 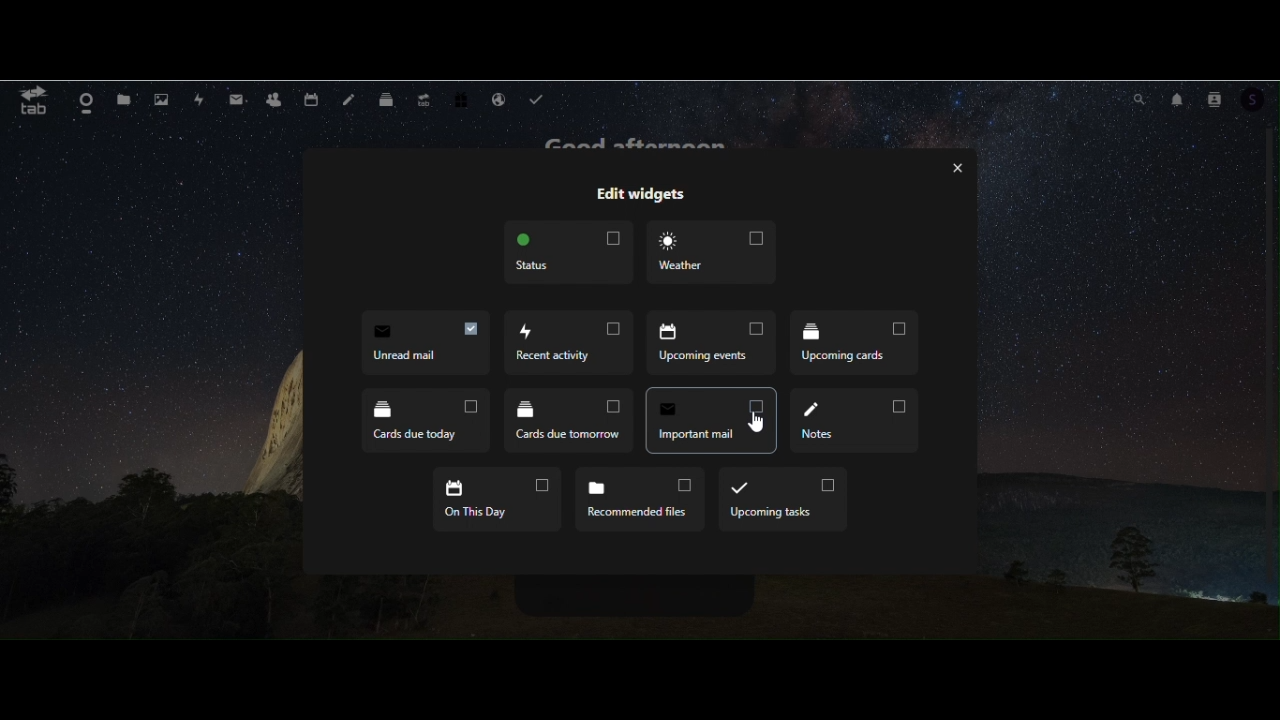 I want to click on Upcoming cards, so click(x=713, y=347).